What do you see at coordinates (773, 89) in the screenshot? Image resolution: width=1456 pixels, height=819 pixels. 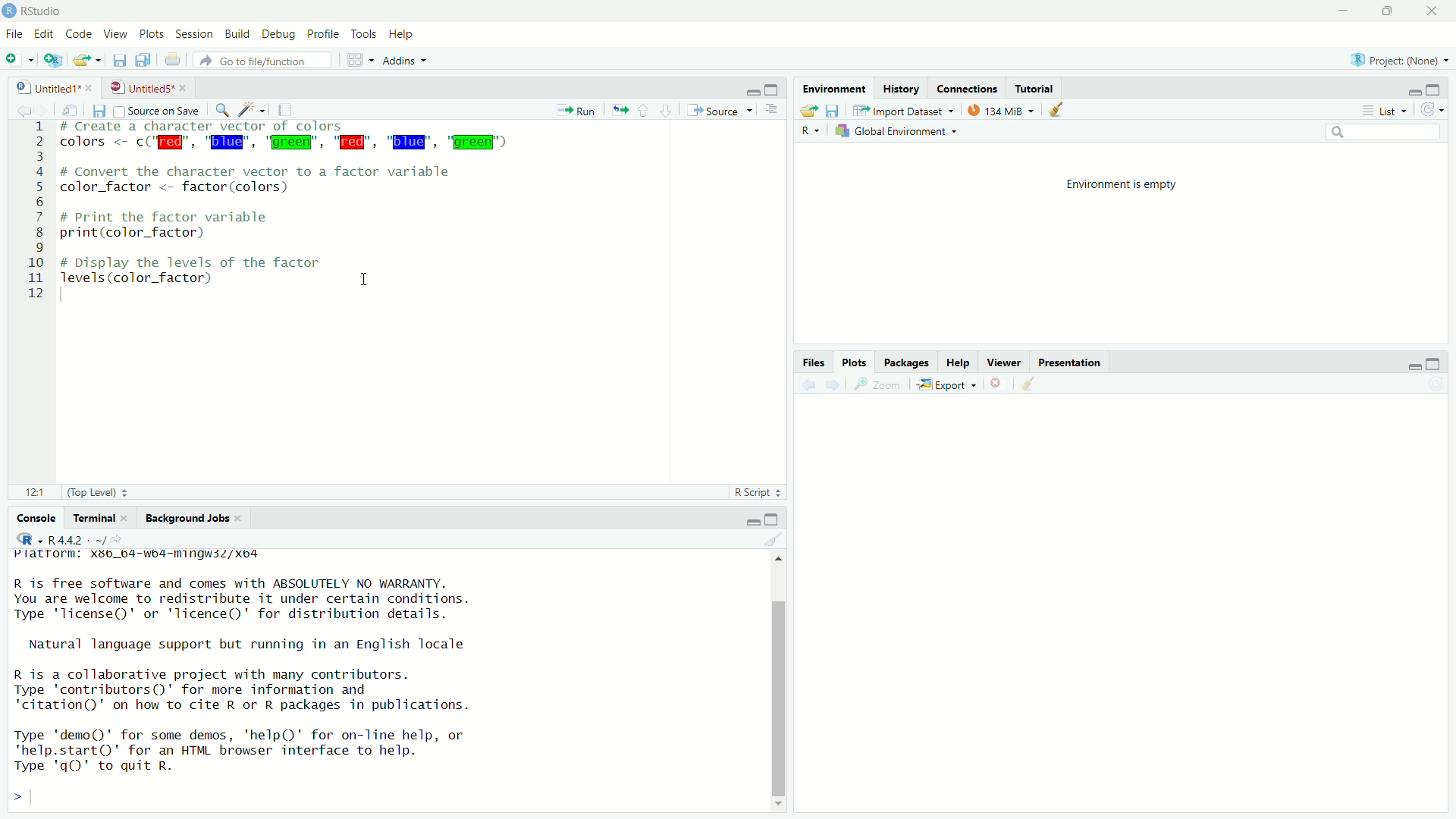 I see `maximize` at bounding box center [773, 89].